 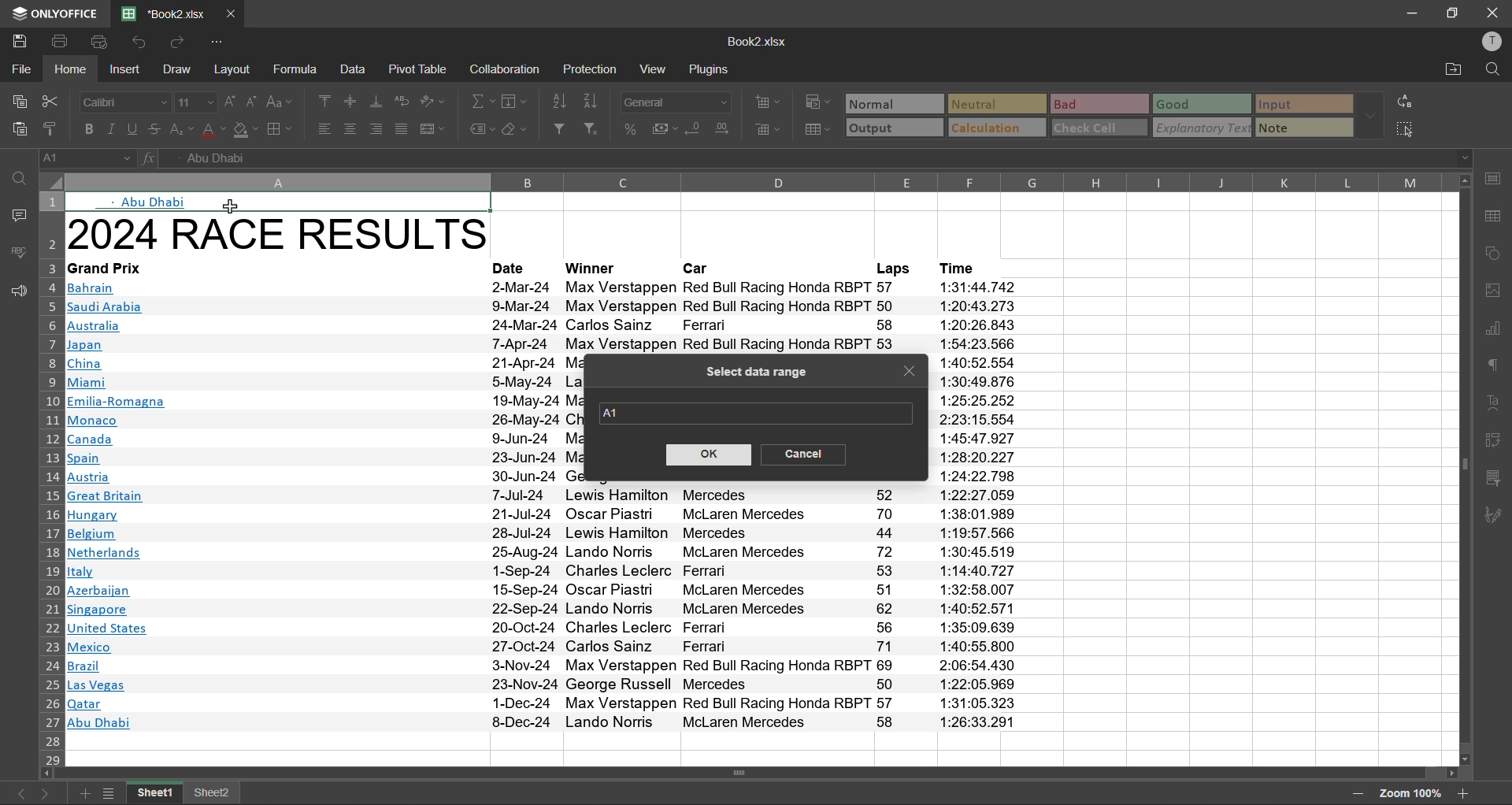 What do you see at coordinates (127, 103) in the screenshot?
I see `font style` at bounding box center [127, 103].